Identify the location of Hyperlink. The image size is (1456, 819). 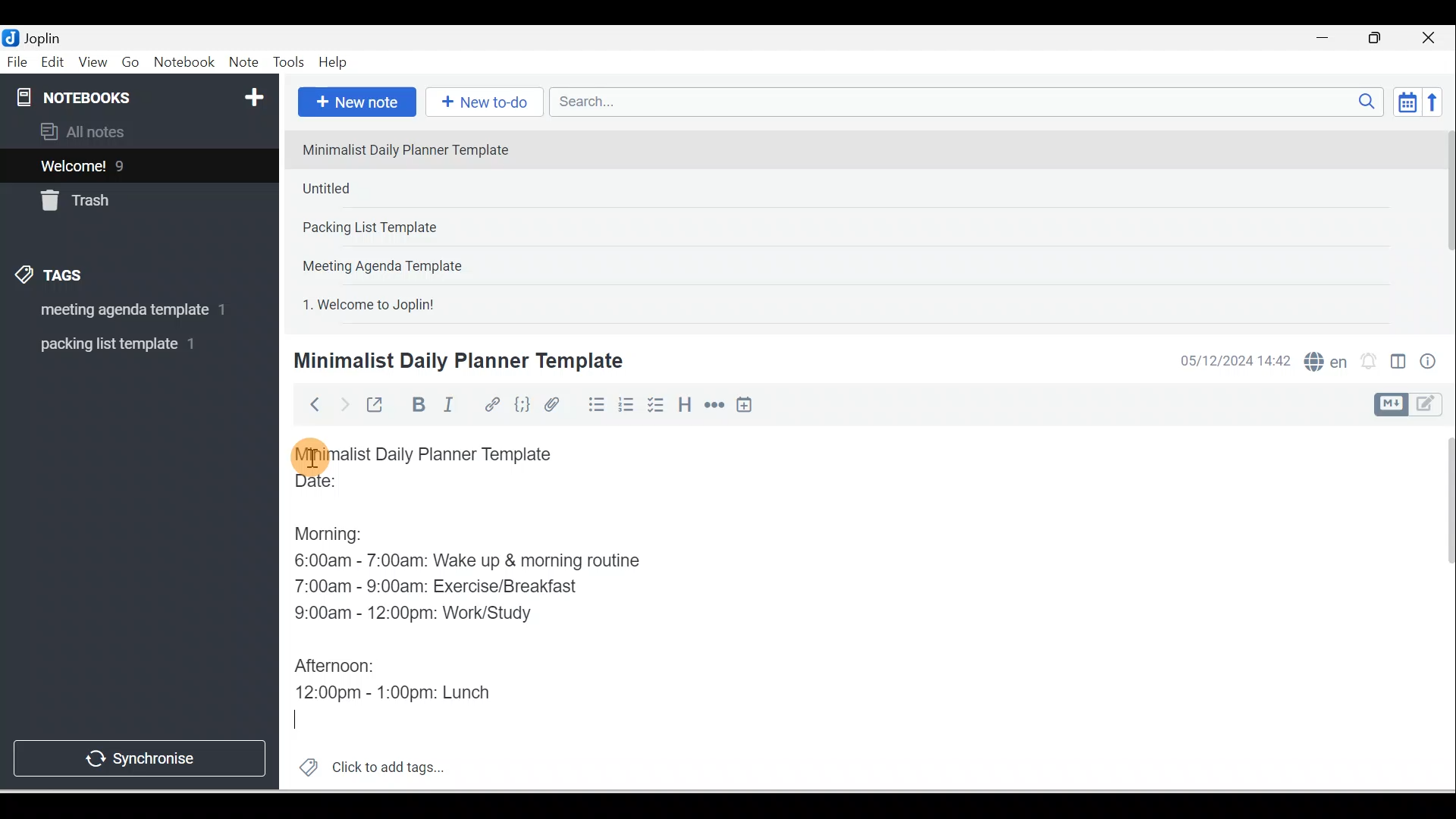
(491, 406).